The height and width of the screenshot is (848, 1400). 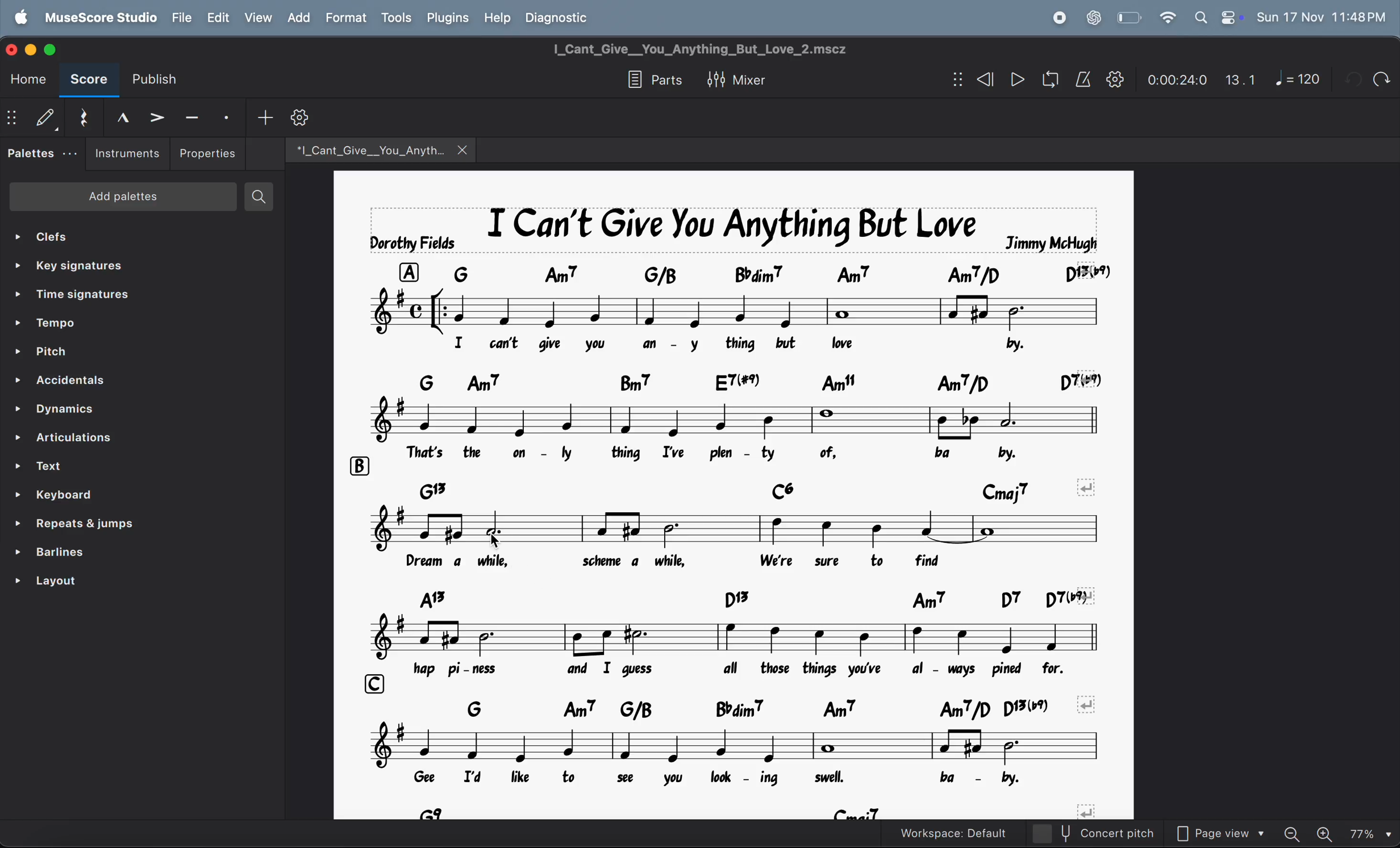 I want to click on layouts, so click(x=118, y=586).